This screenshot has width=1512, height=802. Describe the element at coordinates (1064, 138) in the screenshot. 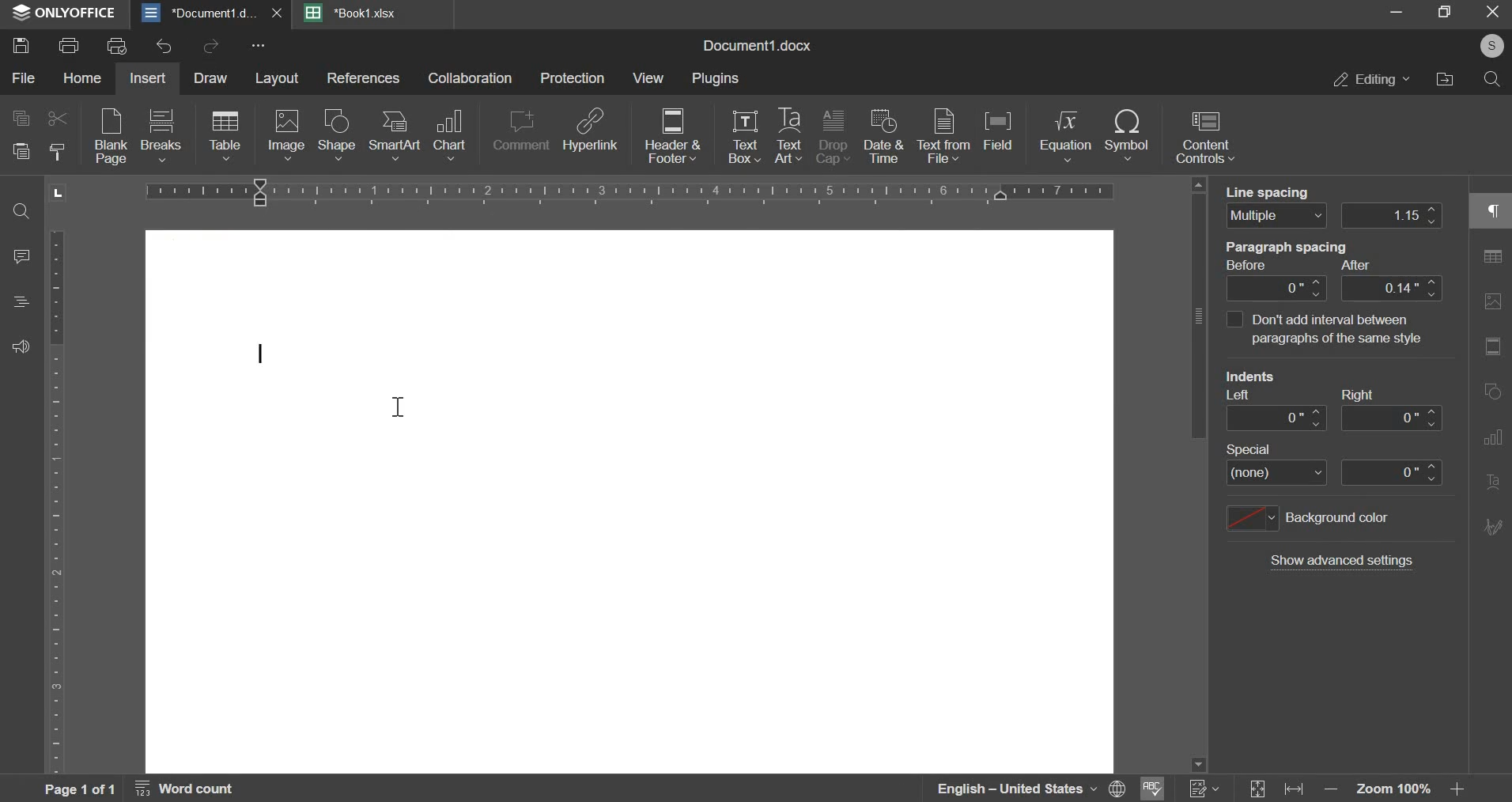

I see `equation` at that location.